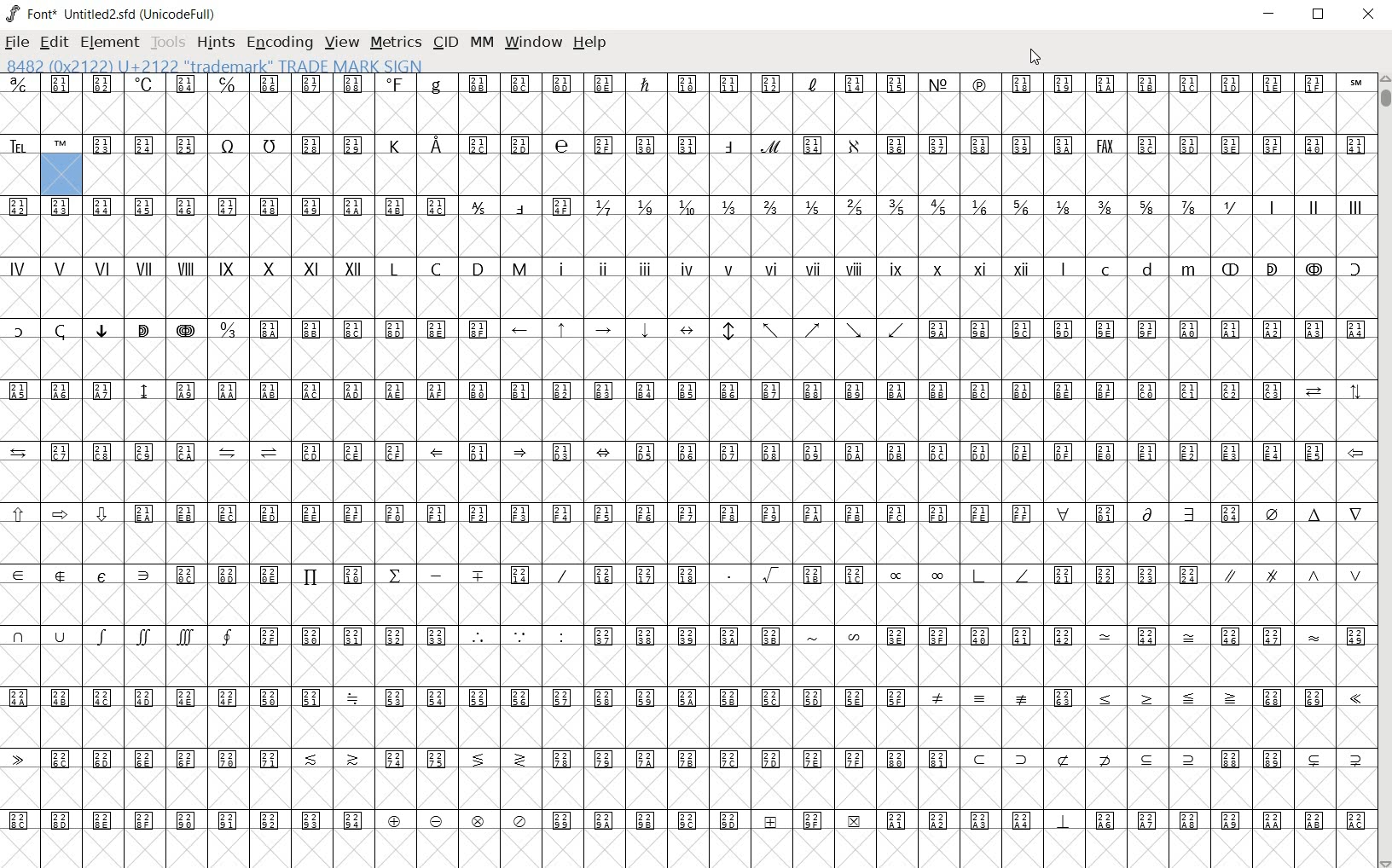 This screenshot has width=1392, height=868. Describe the element at coordinates (445, 45) in the screenshot. I see `CID` at that location.